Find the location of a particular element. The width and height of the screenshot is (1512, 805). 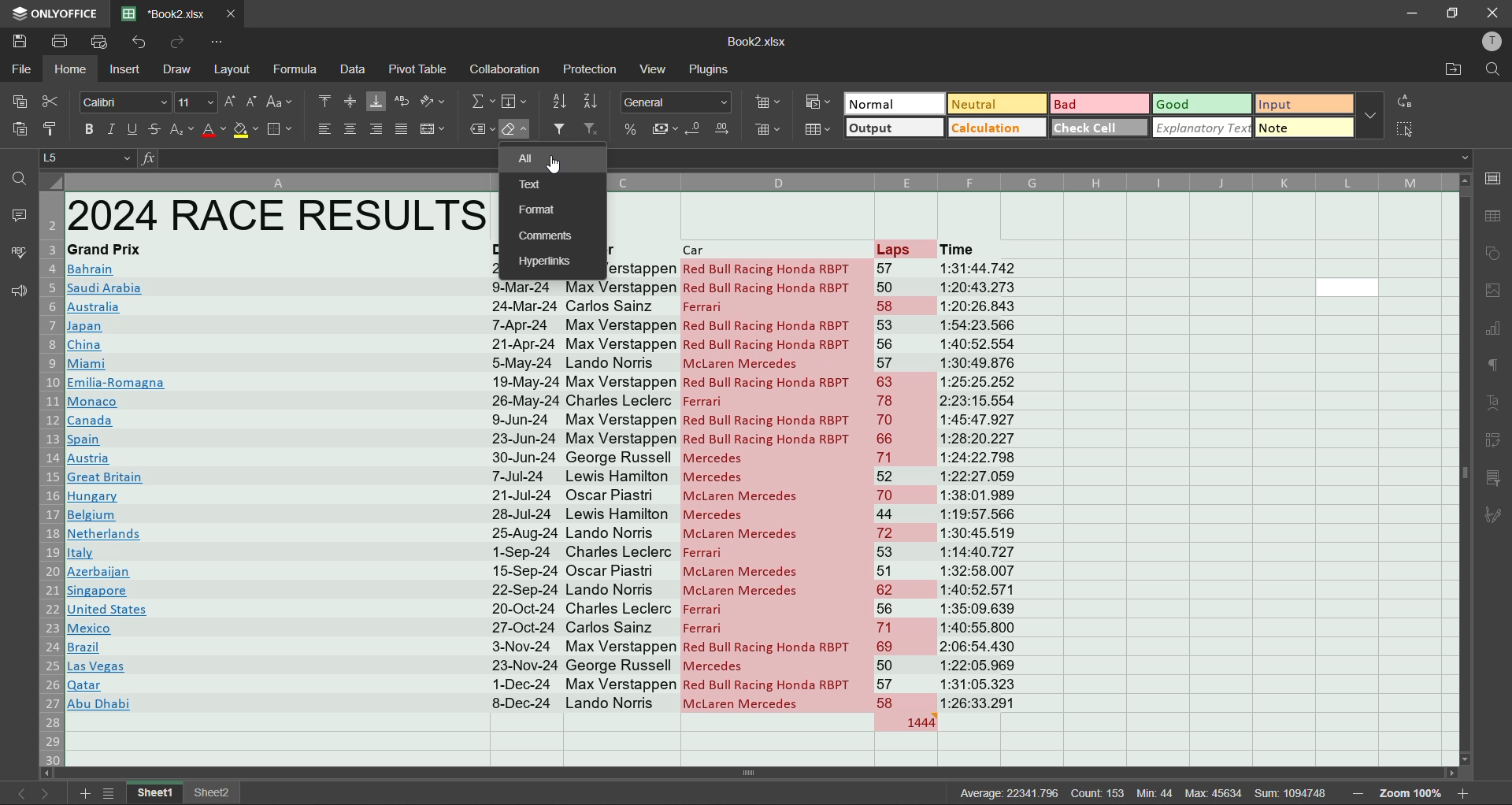

font size is located at coordinates (198, 102).